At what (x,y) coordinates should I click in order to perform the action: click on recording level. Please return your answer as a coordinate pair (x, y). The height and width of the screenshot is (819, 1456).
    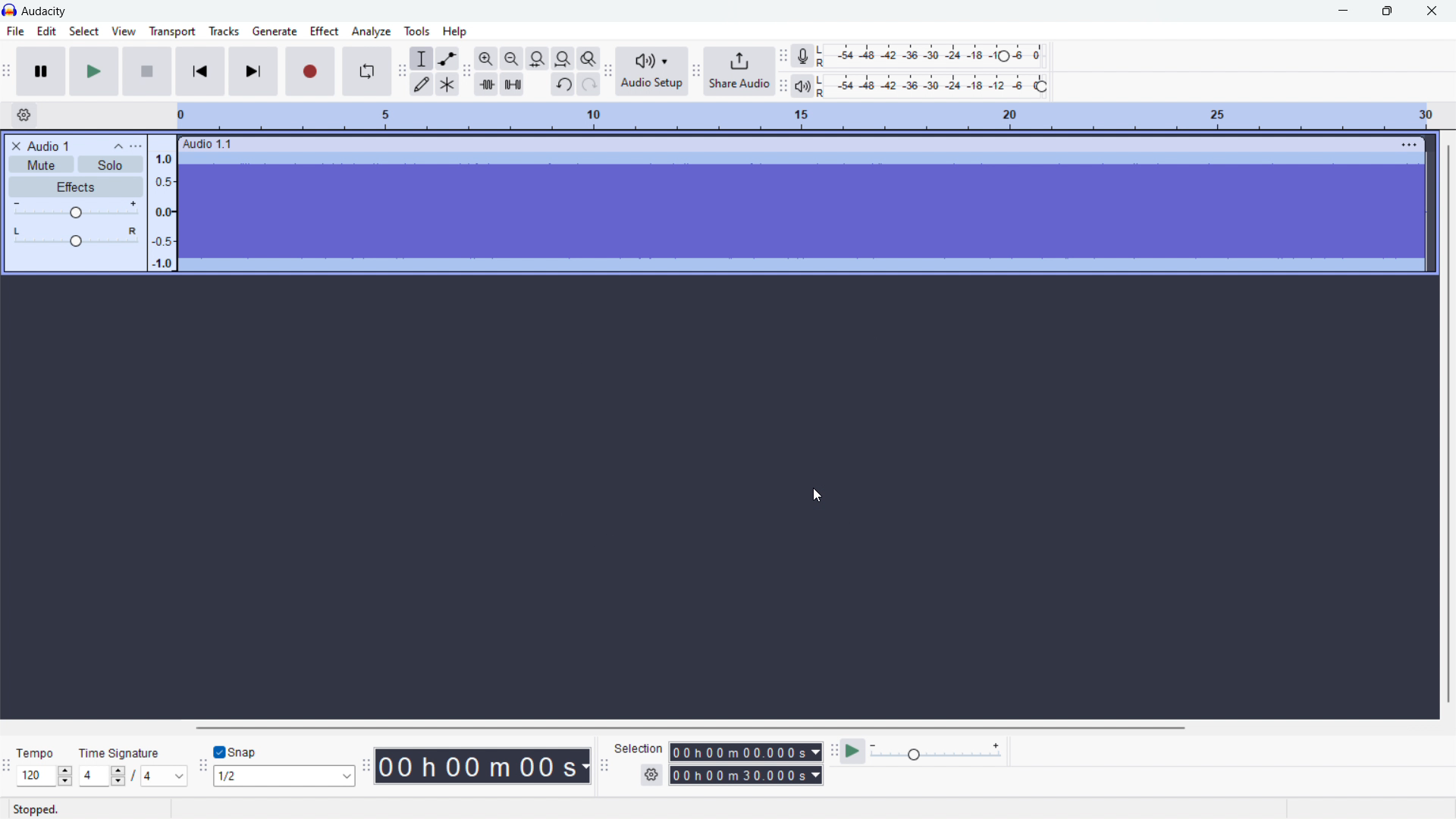
    Looking at the image, I should click on (940, 54).